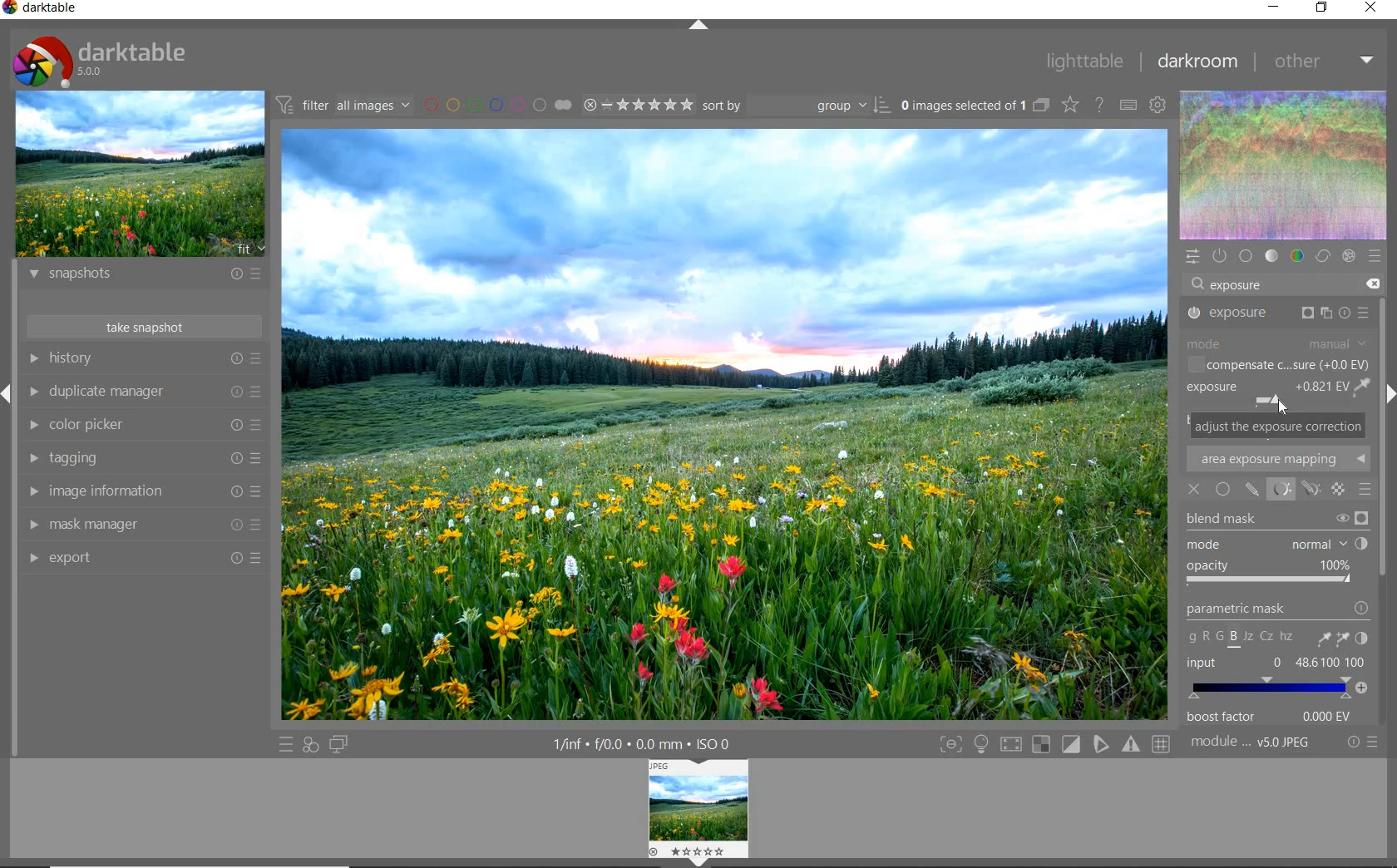 This screenshot has height=868, width=1397. What do you see at coordinates (1272, 257) in the screenshot?
I see `tone` at bounding box center [1272, 257].